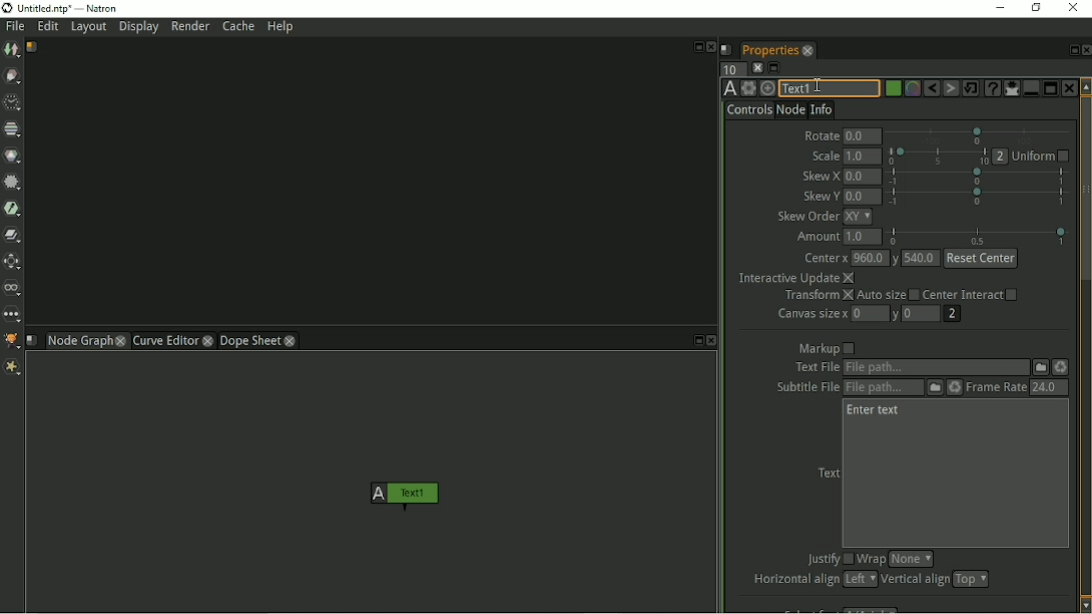 The image size is (1092, 614). What do you see at coordinates (767, 88) in the screenshot?
I see `Centers the node` at bounding box center [767, 88].